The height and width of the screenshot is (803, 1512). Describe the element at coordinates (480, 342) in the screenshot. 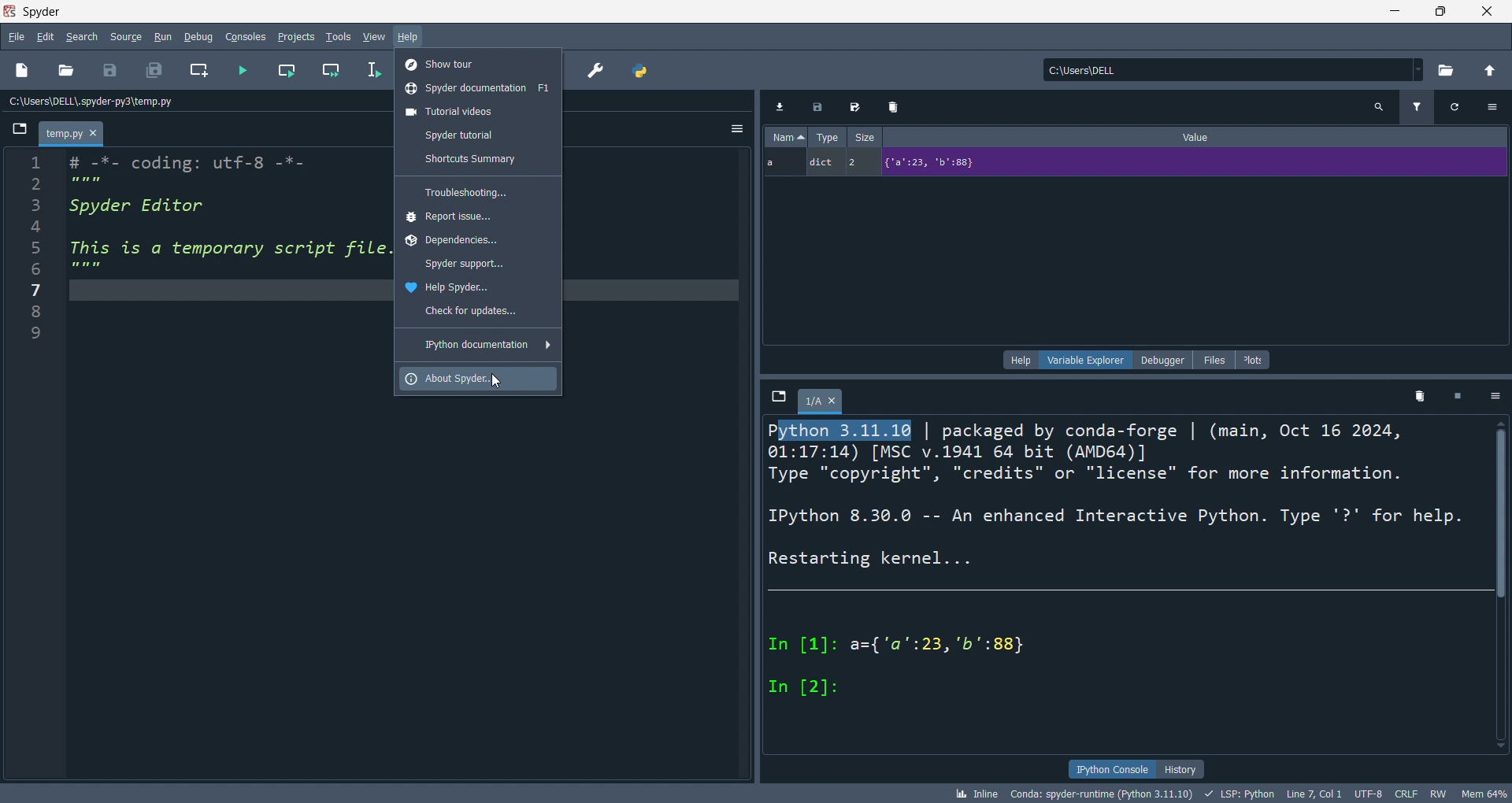

I see `ipython documentation` at that location.